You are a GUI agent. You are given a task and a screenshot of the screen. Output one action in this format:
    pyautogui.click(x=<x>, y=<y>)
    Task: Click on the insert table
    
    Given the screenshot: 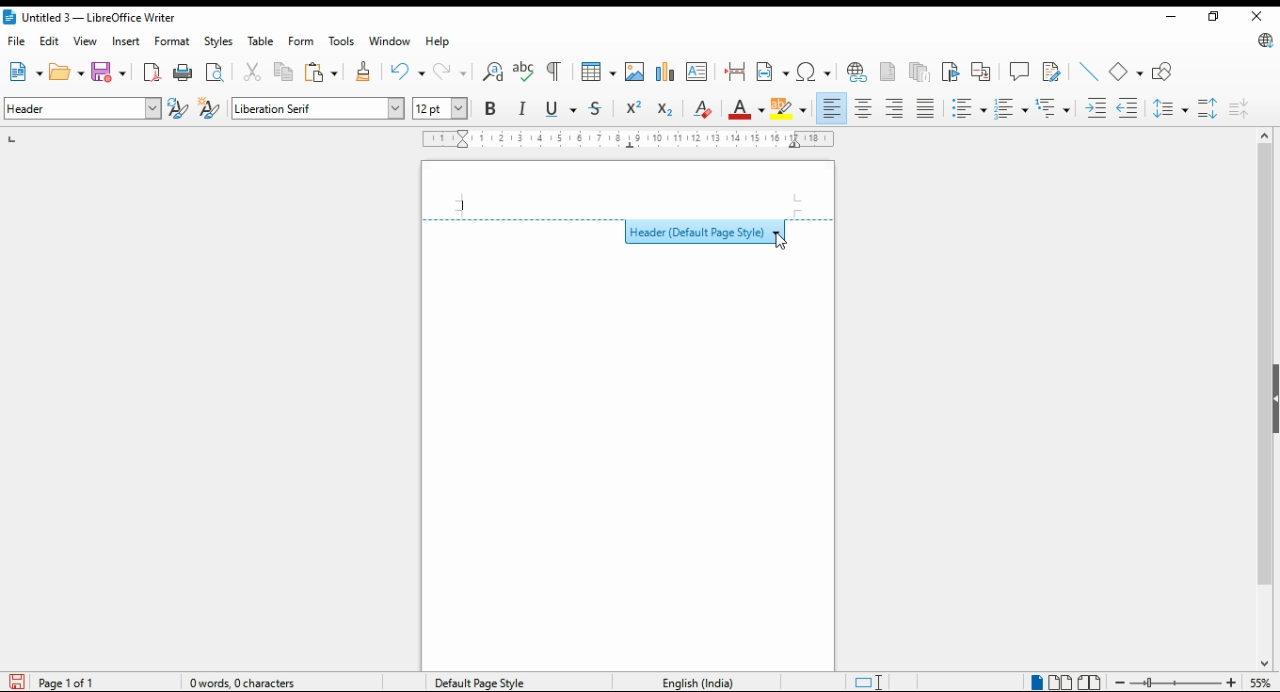 What is the action you would take?
    pyautogui.click(x=599, y=71)
    